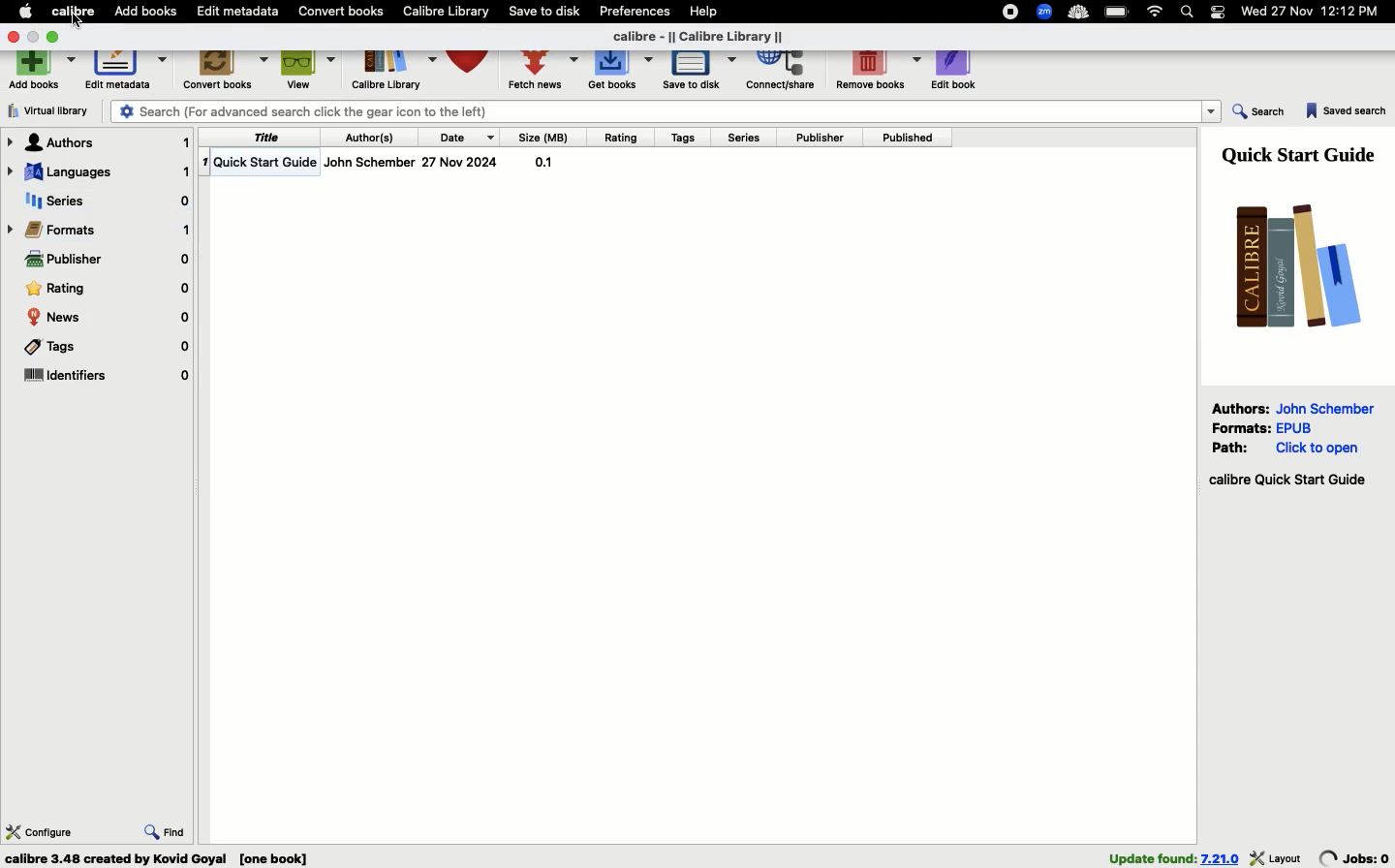  I want to click on Search, so click(651, 111).